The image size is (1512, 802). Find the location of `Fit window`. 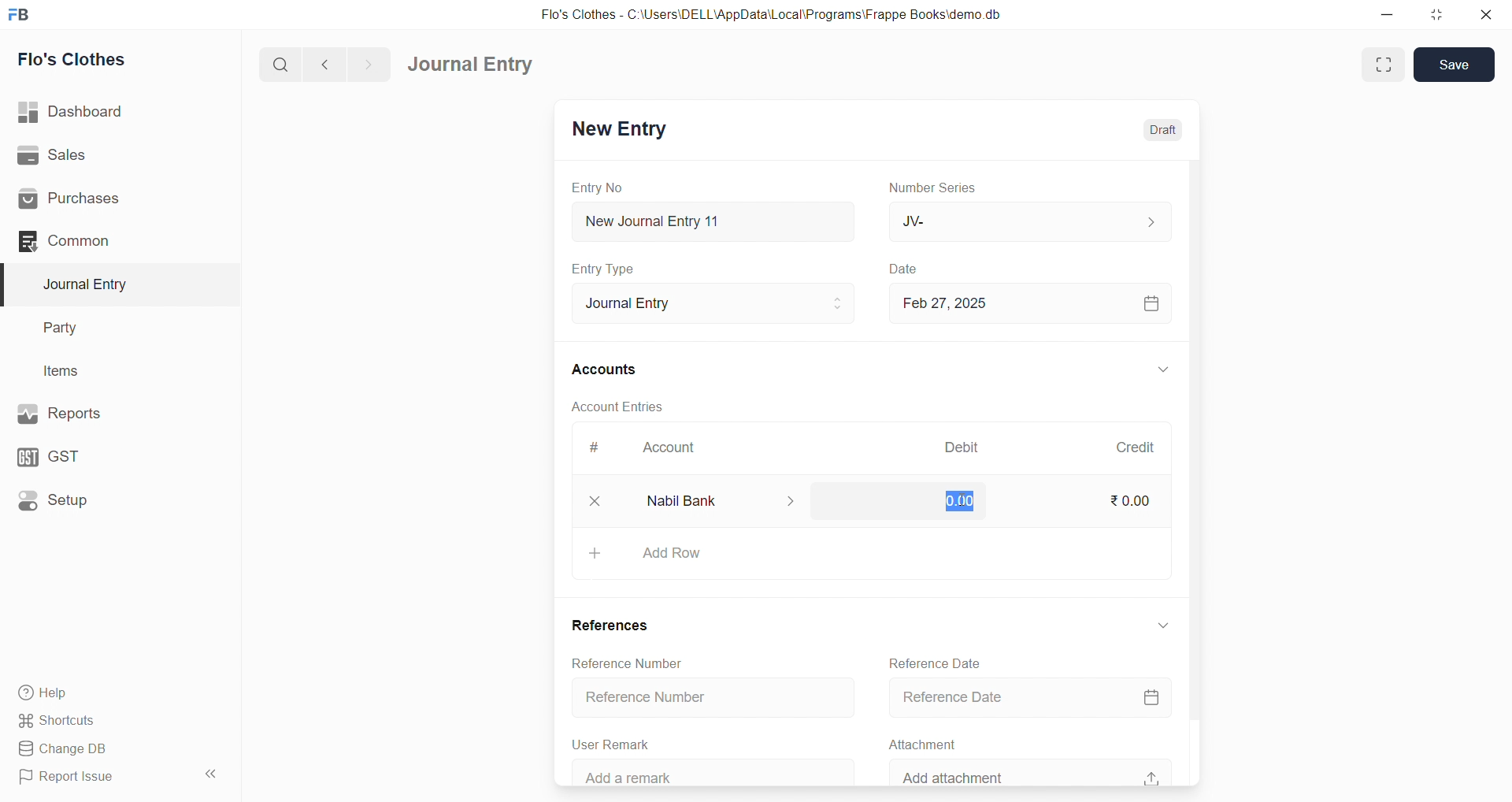

Fit window is located at coordinates (1381, 65).